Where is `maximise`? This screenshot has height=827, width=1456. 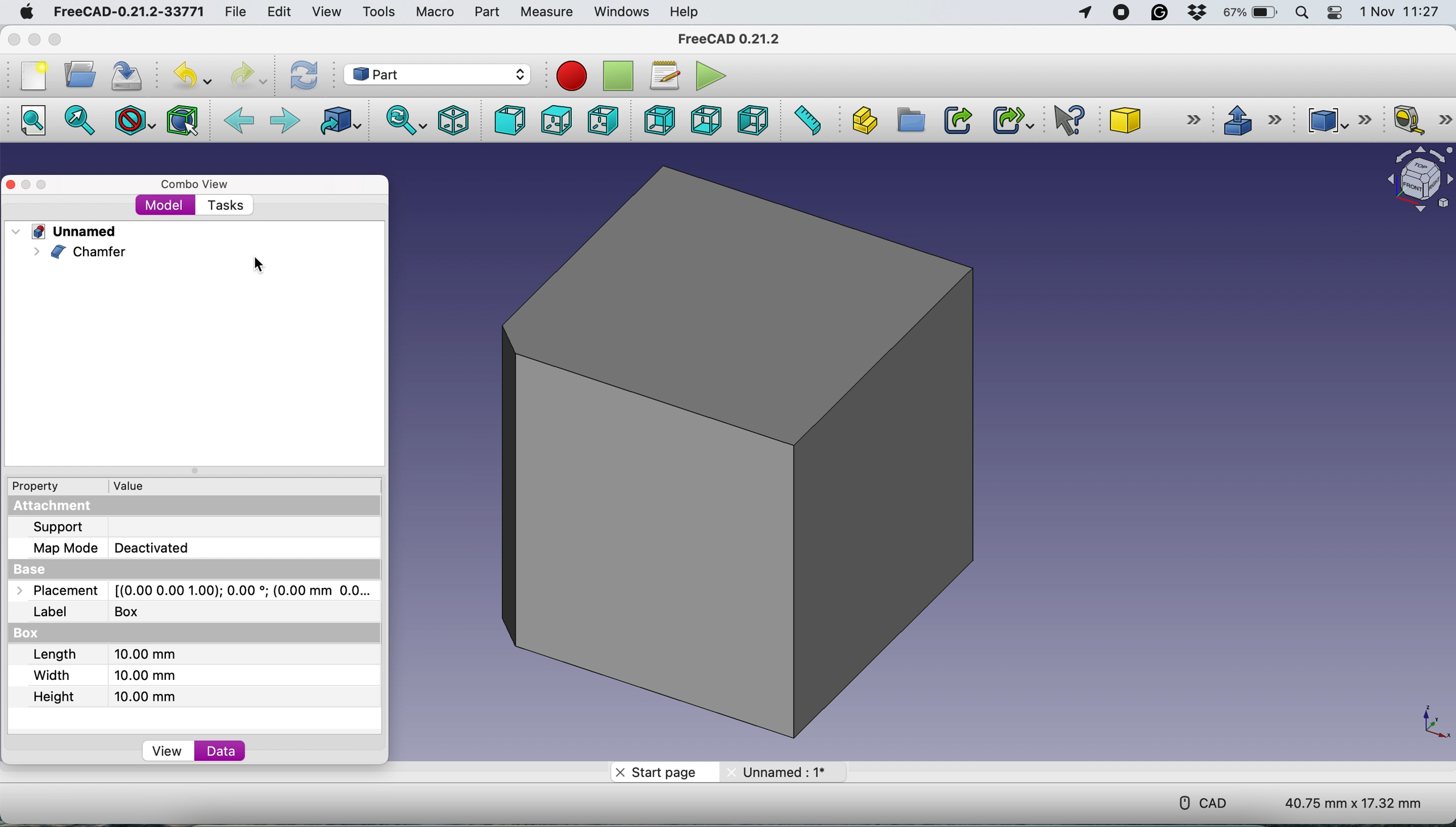 maximise is located at coordinates (52, 41).